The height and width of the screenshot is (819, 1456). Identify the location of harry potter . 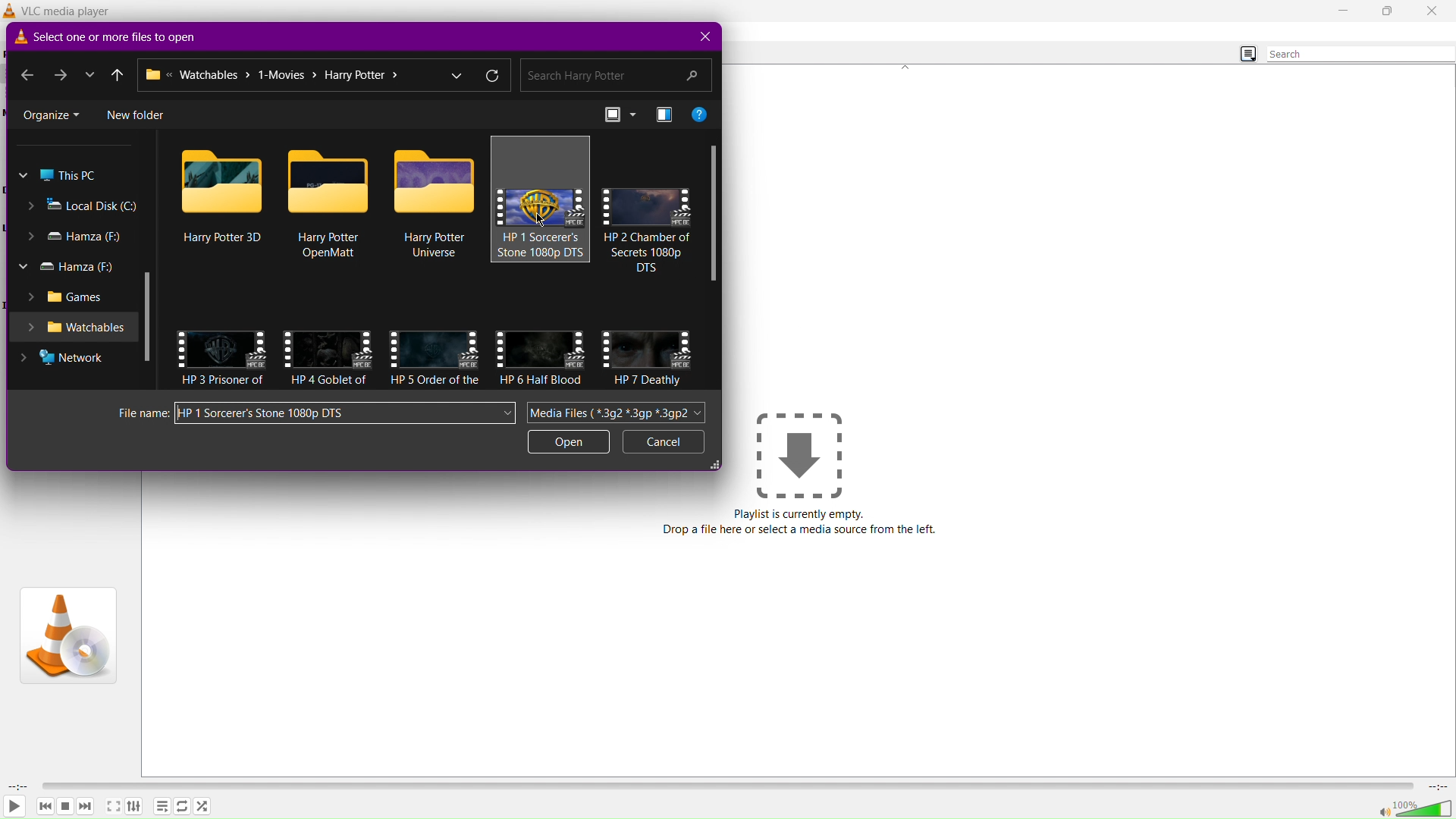
(435, 245).